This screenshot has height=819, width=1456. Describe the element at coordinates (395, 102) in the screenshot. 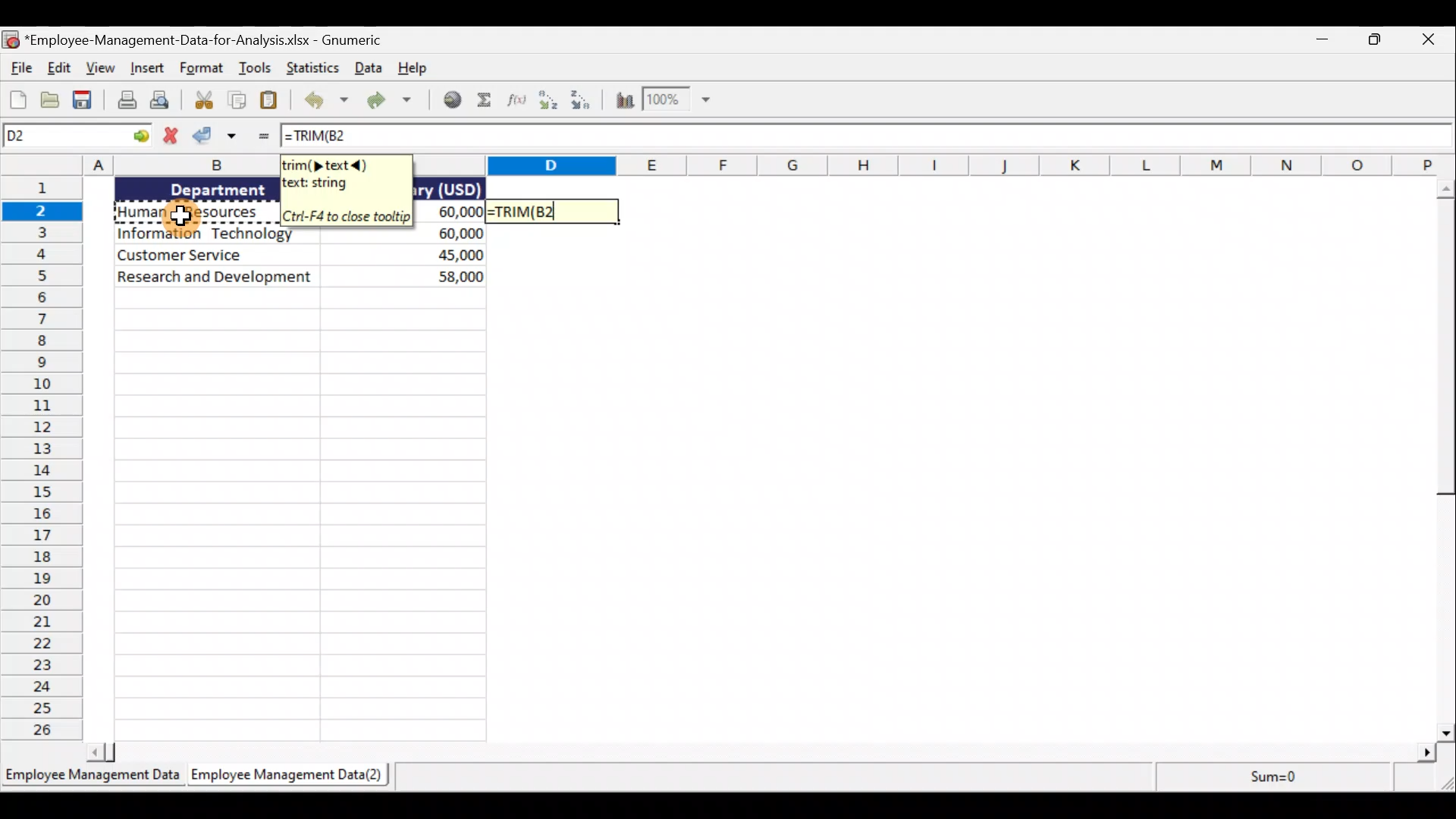

I see `Redo the undone action` at that location.